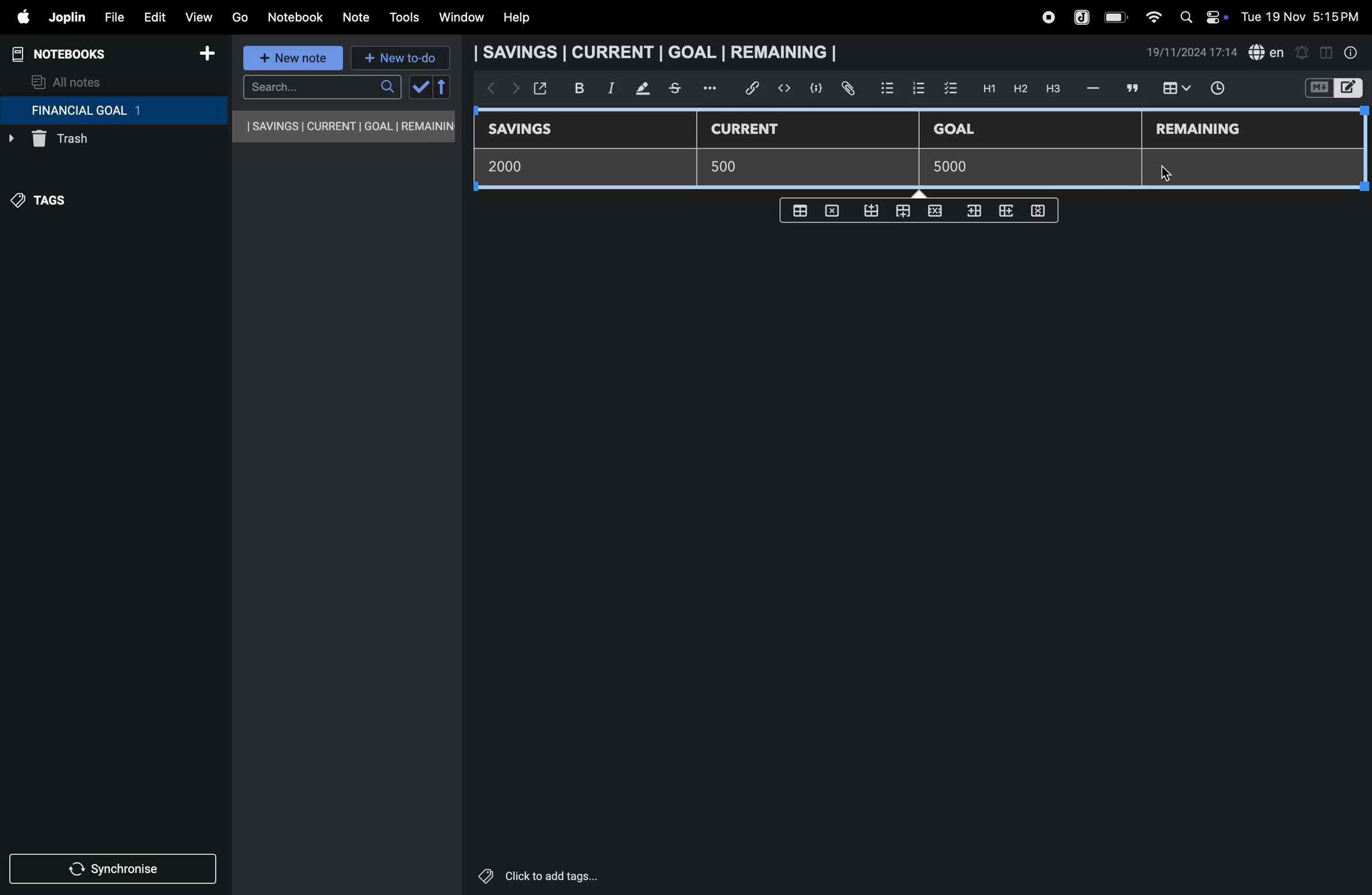 The width and height of the screenshot is (1372, 895). I want to click on itallic, so click(609, 88).